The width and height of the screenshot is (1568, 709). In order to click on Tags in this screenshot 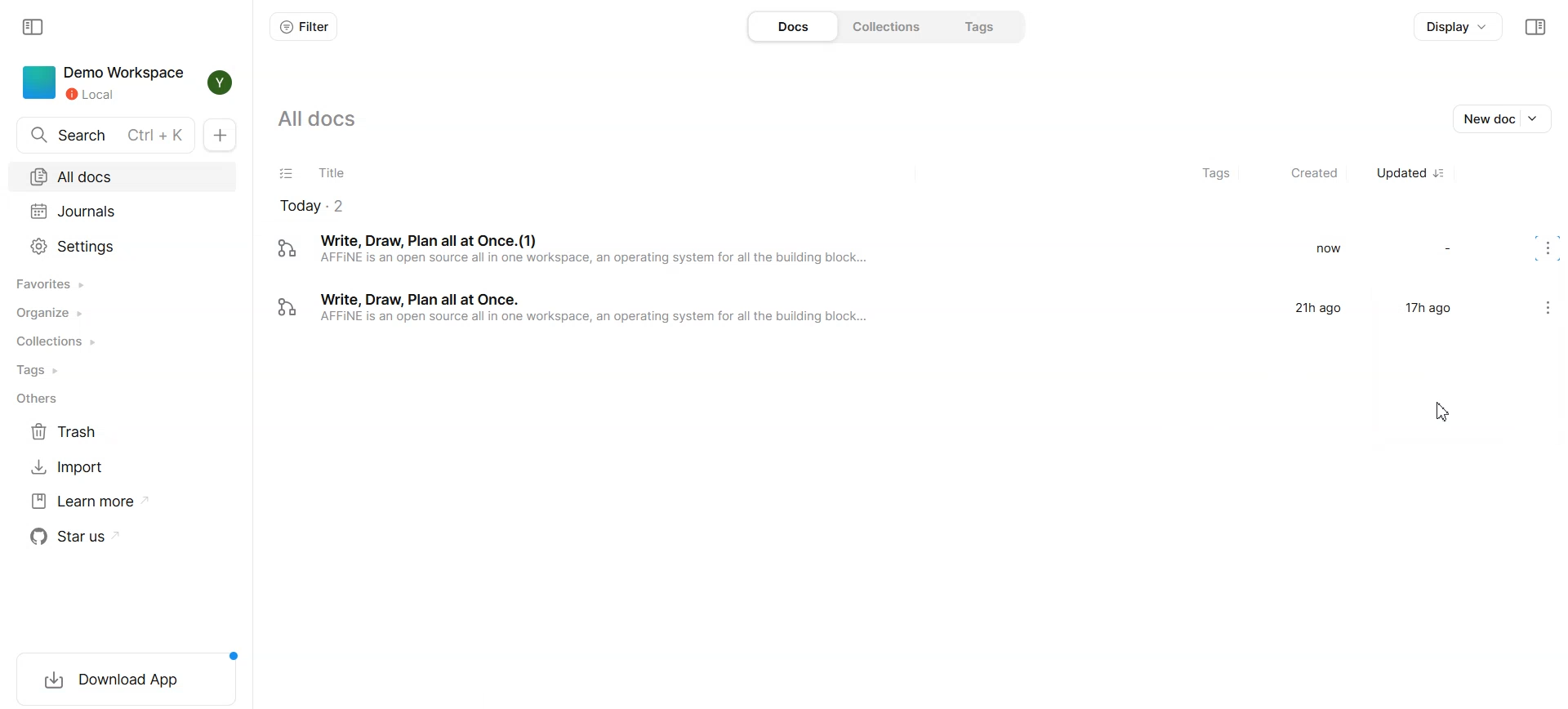, I will do `click(982, 27)`.